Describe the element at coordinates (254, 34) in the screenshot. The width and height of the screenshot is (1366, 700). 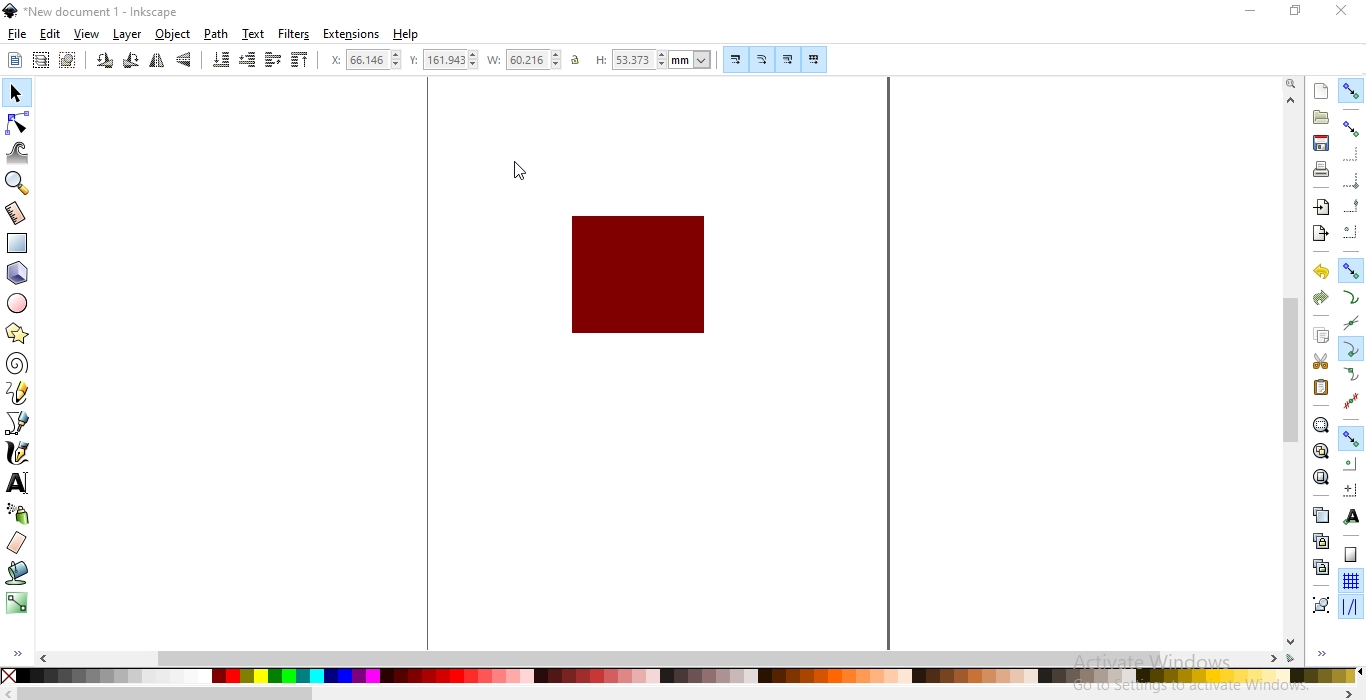
I see `text` at that location.